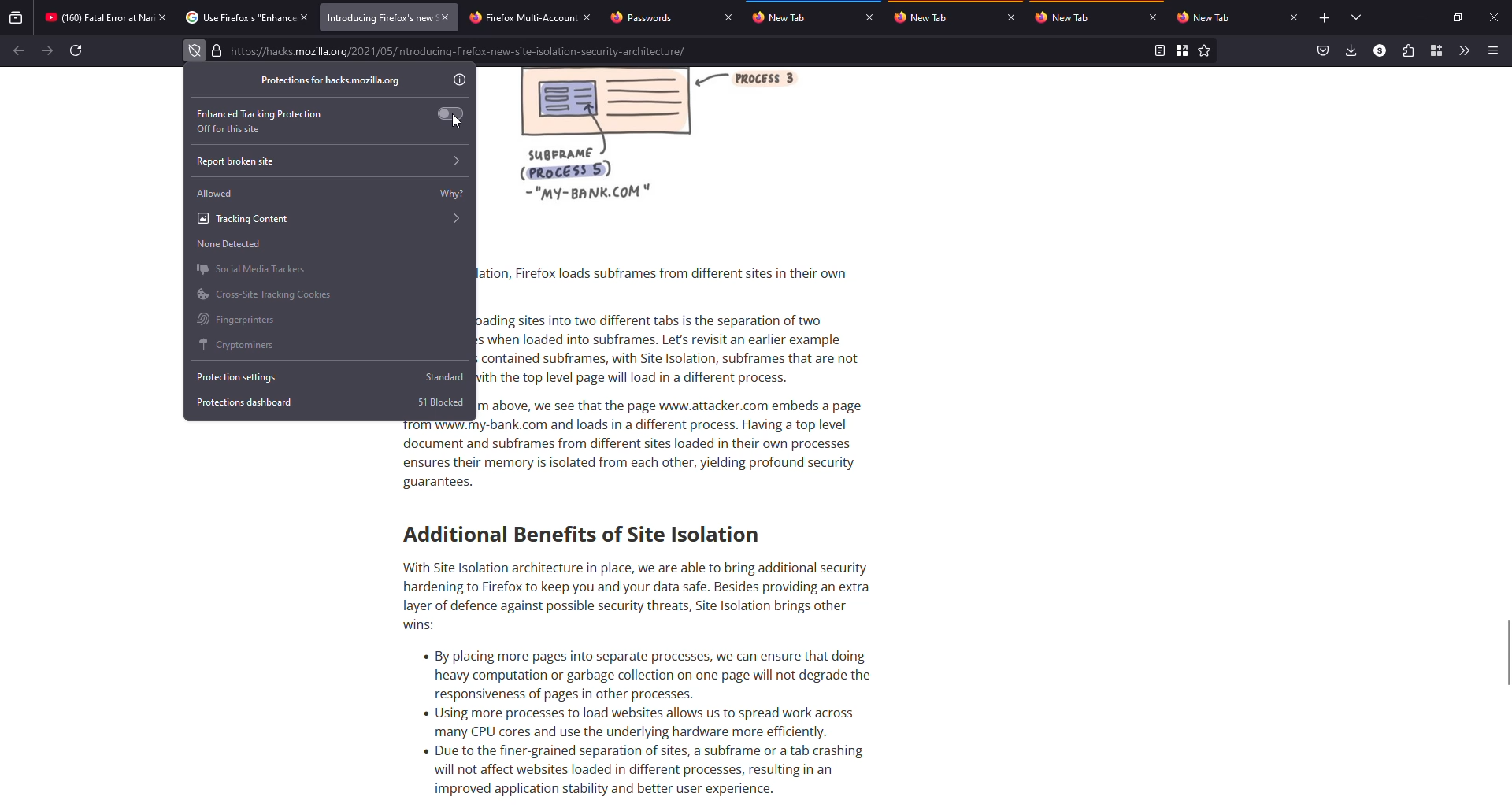 Image resolution: width=1512 pixels, height=811 pixels. I want to click on open site in container, so click(1183, 51).